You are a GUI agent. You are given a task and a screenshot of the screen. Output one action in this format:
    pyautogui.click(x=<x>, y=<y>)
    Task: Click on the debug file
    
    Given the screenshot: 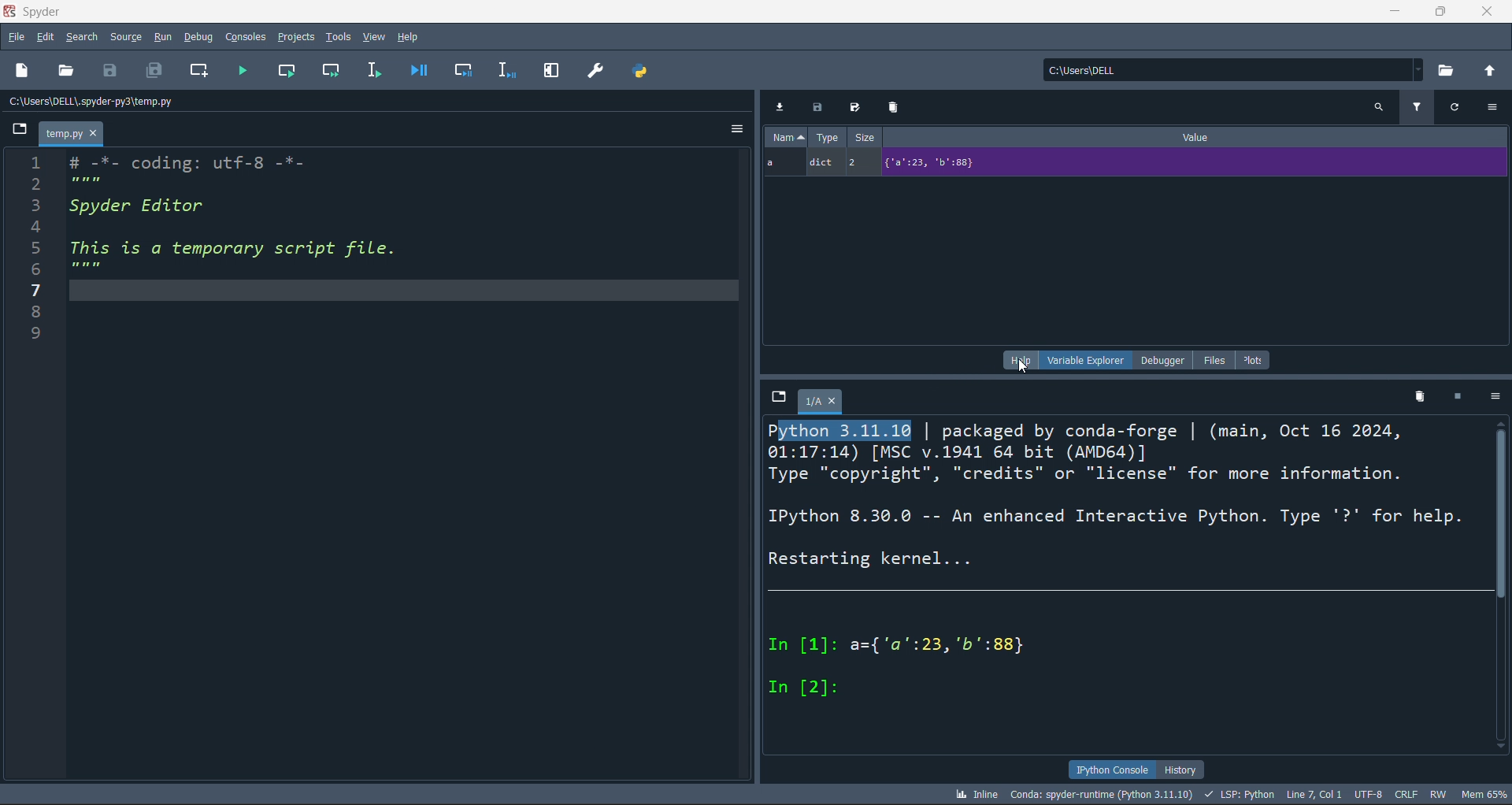 What is the action you would take?
    pyautogui.click(x=417, y=72)
    